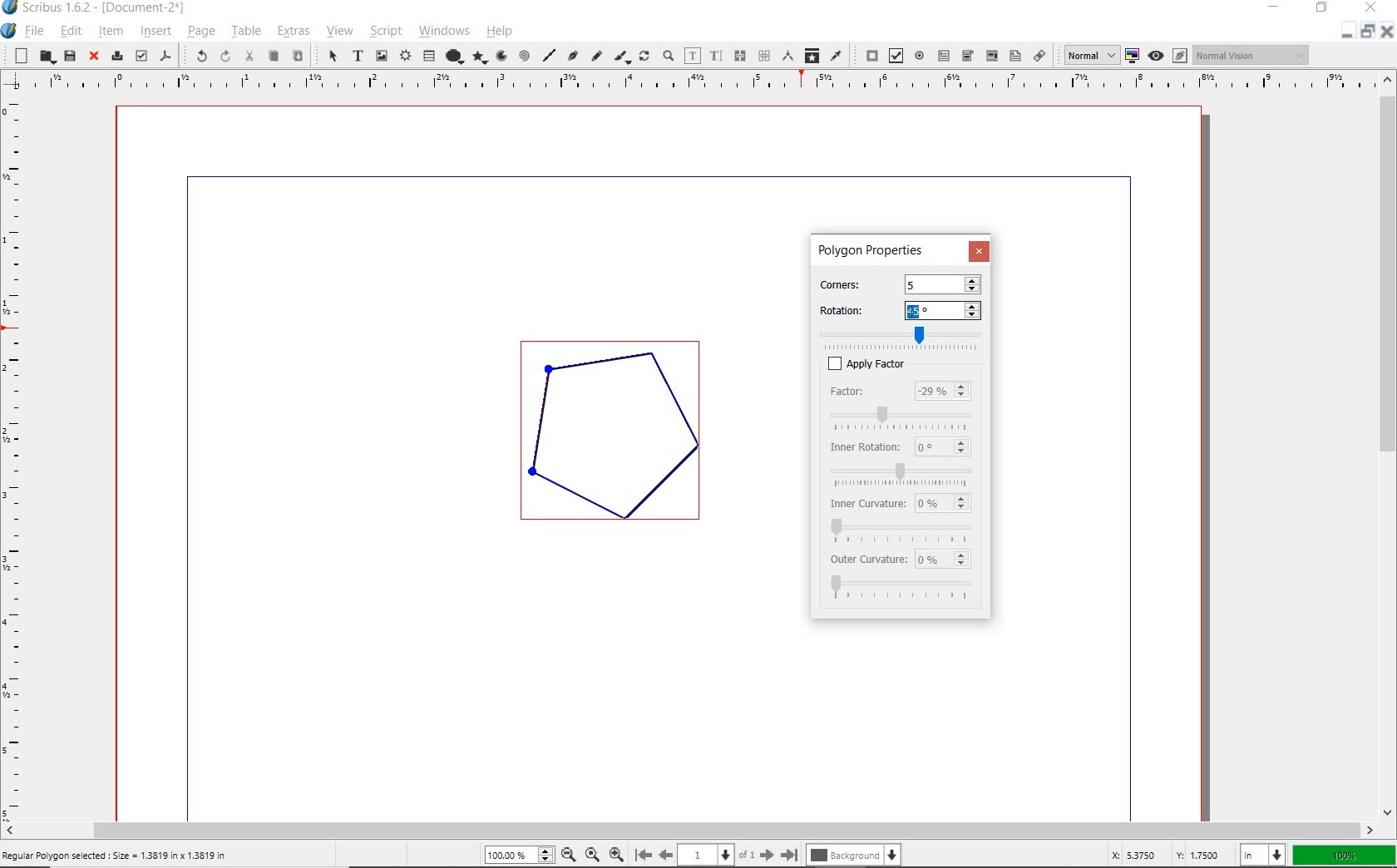  What do you see at coordinates (290, 31) in the screenshot?
I see `extras` at bounding box center [290, 31].